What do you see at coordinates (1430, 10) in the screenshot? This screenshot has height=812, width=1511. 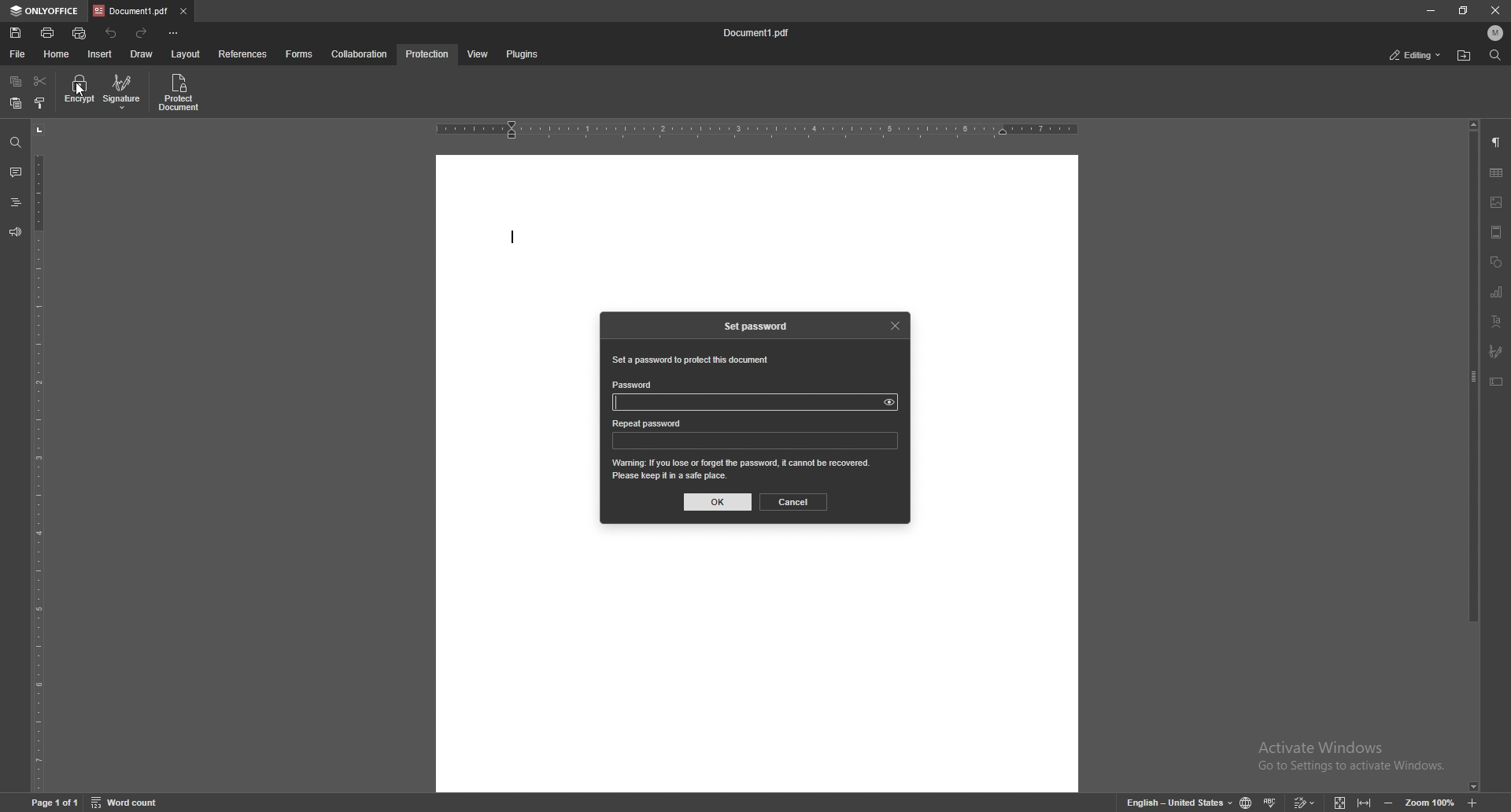 I see `minimize` at bounding box center [1430, 10].